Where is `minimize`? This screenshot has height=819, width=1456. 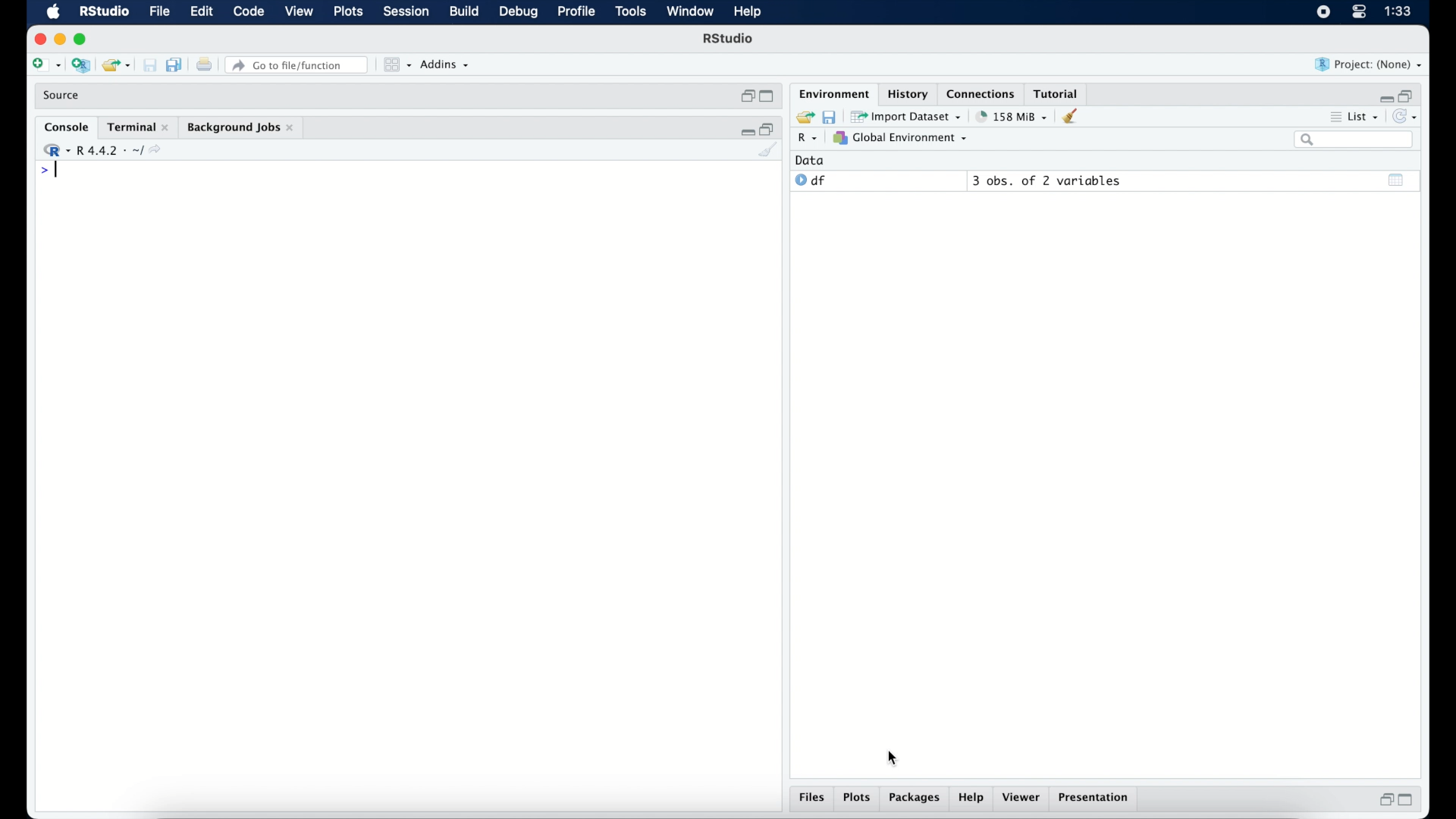 minimize is located at coordinates (745, 131).